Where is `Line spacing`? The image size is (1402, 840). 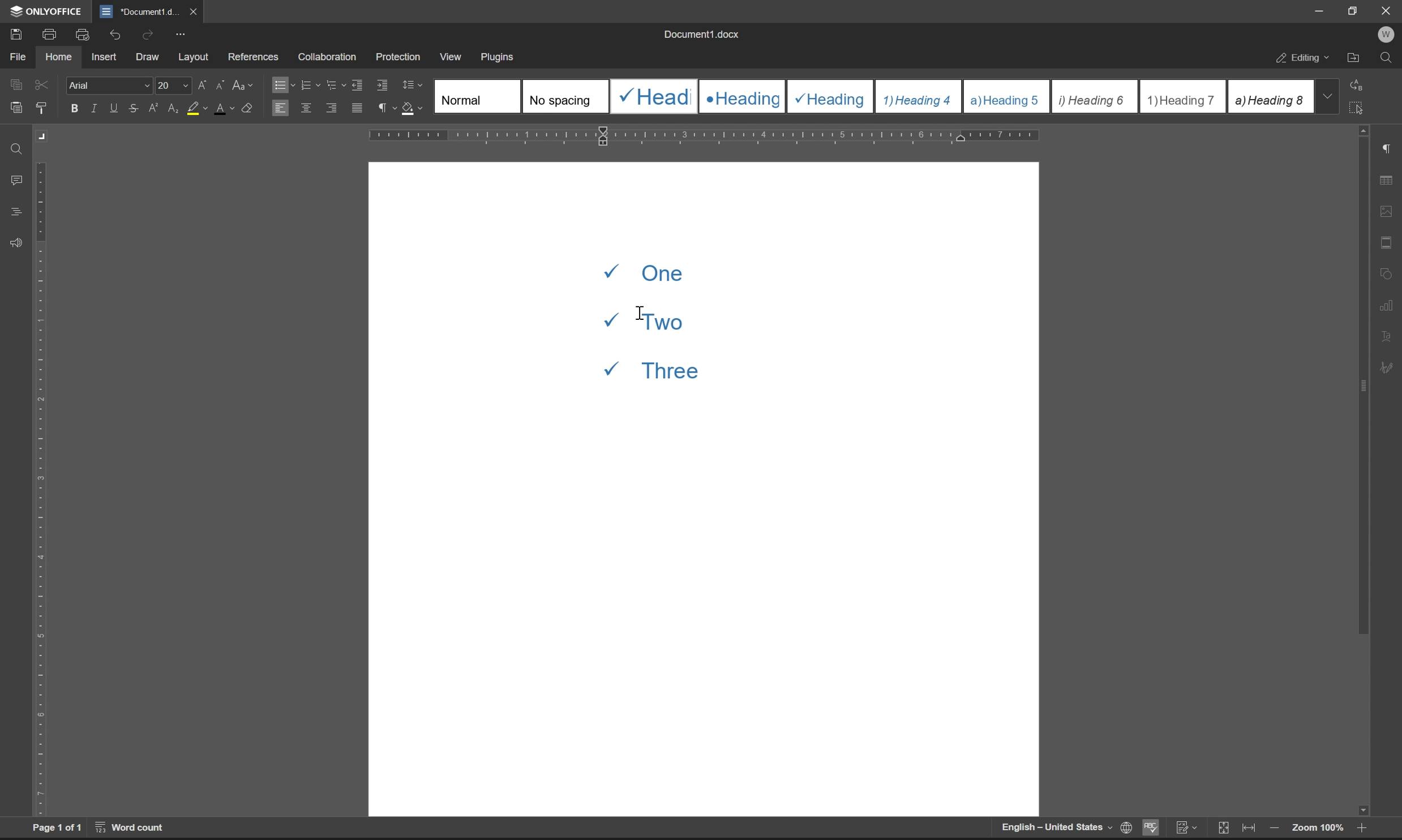 Line spacing is located at coordinates (417, 85).